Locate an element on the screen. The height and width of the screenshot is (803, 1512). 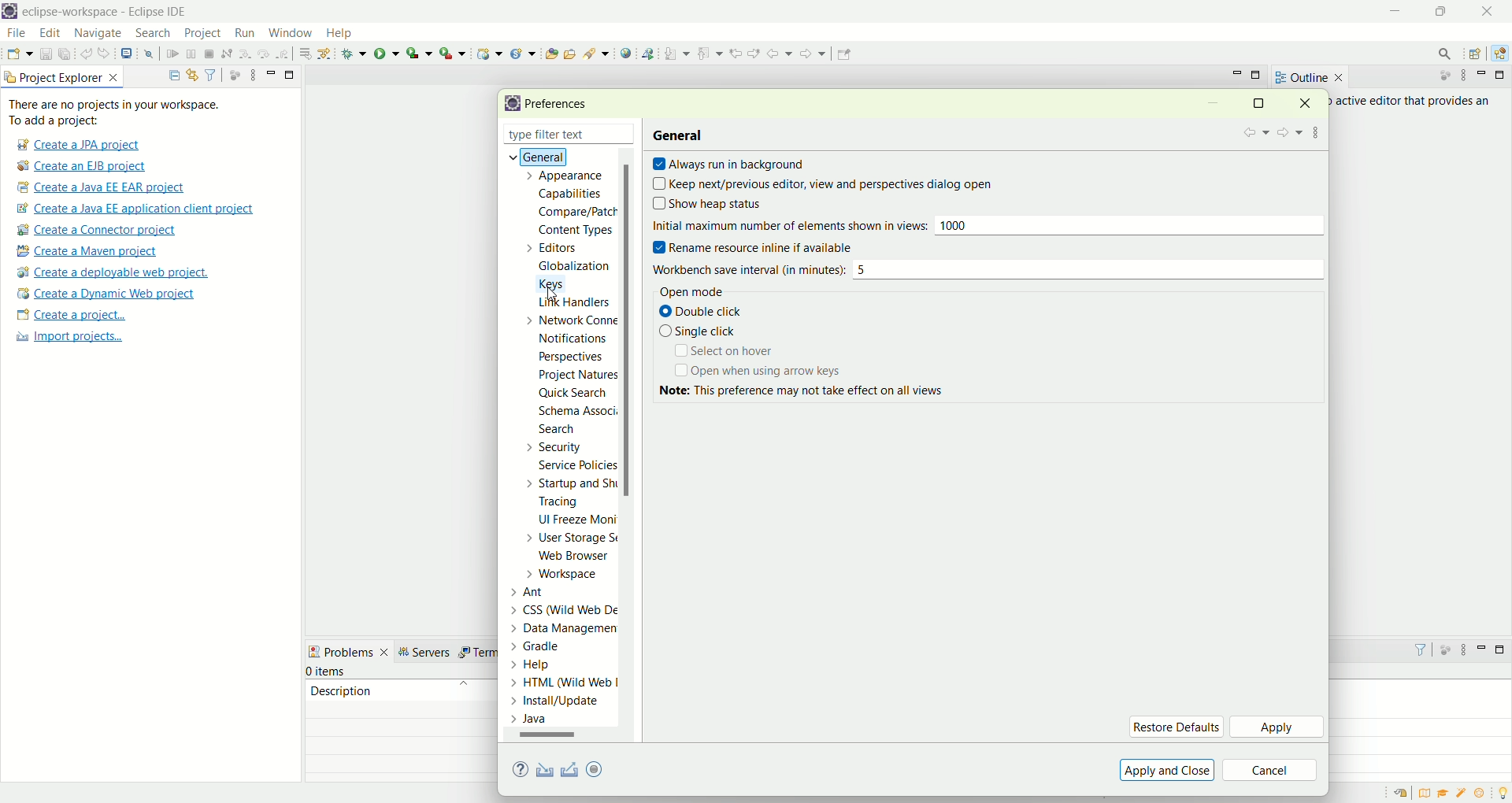
initial maximum number of elements shown in views 1000 is located at coordinates (986, 228).